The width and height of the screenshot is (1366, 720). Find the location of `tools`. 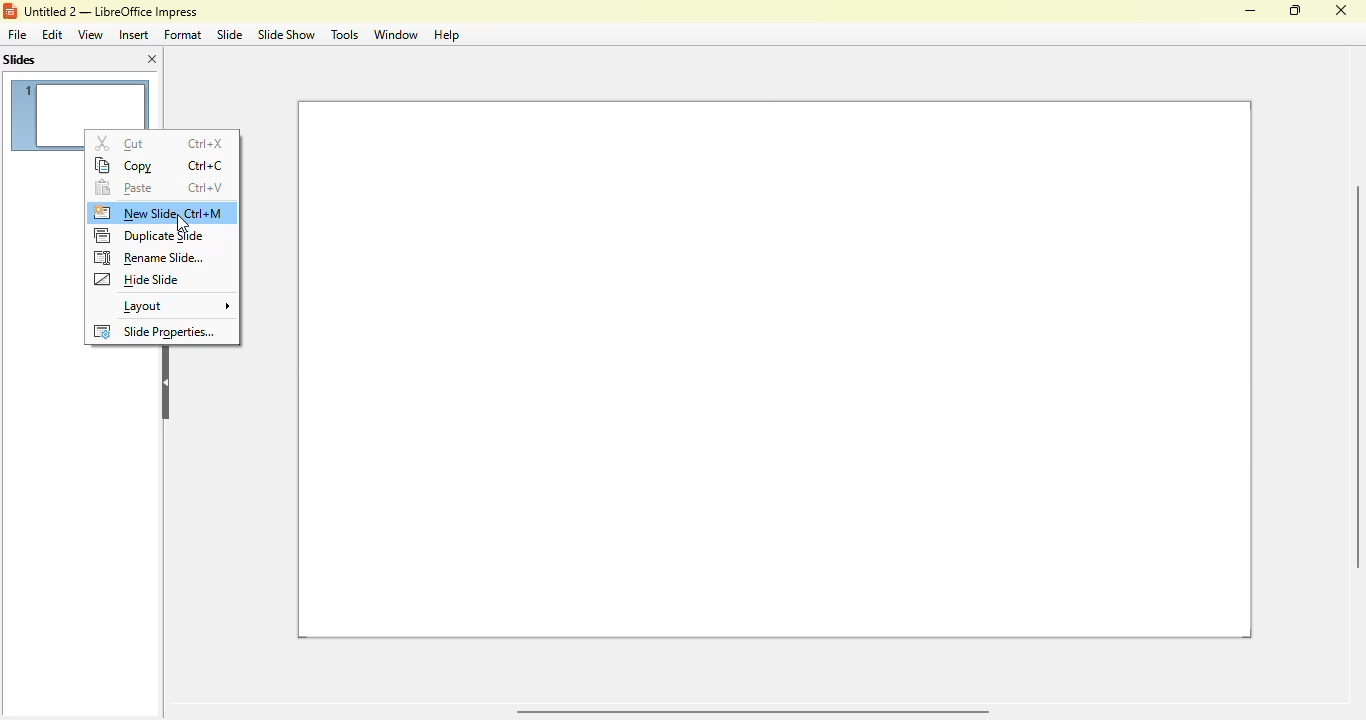

tools is located at coordinates (343, 34).